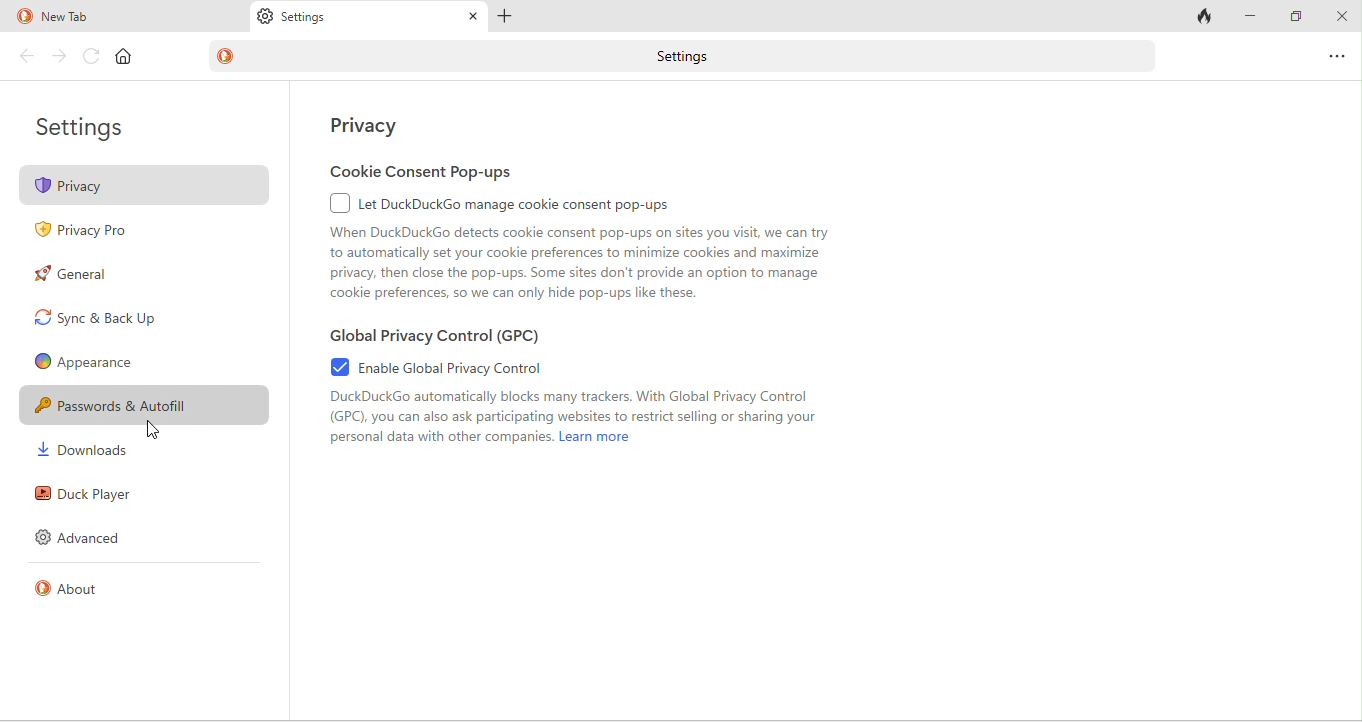 This screenshot has width=1362, height=722. What do you see at coordinates (544, 407) in the screenshot?
I see `duck duck go automatically blocks many trackers. with global privacy control (gpc). you can aloso ask participating websites to restricts selling or sharing your ` at bounding box center [544, 407].